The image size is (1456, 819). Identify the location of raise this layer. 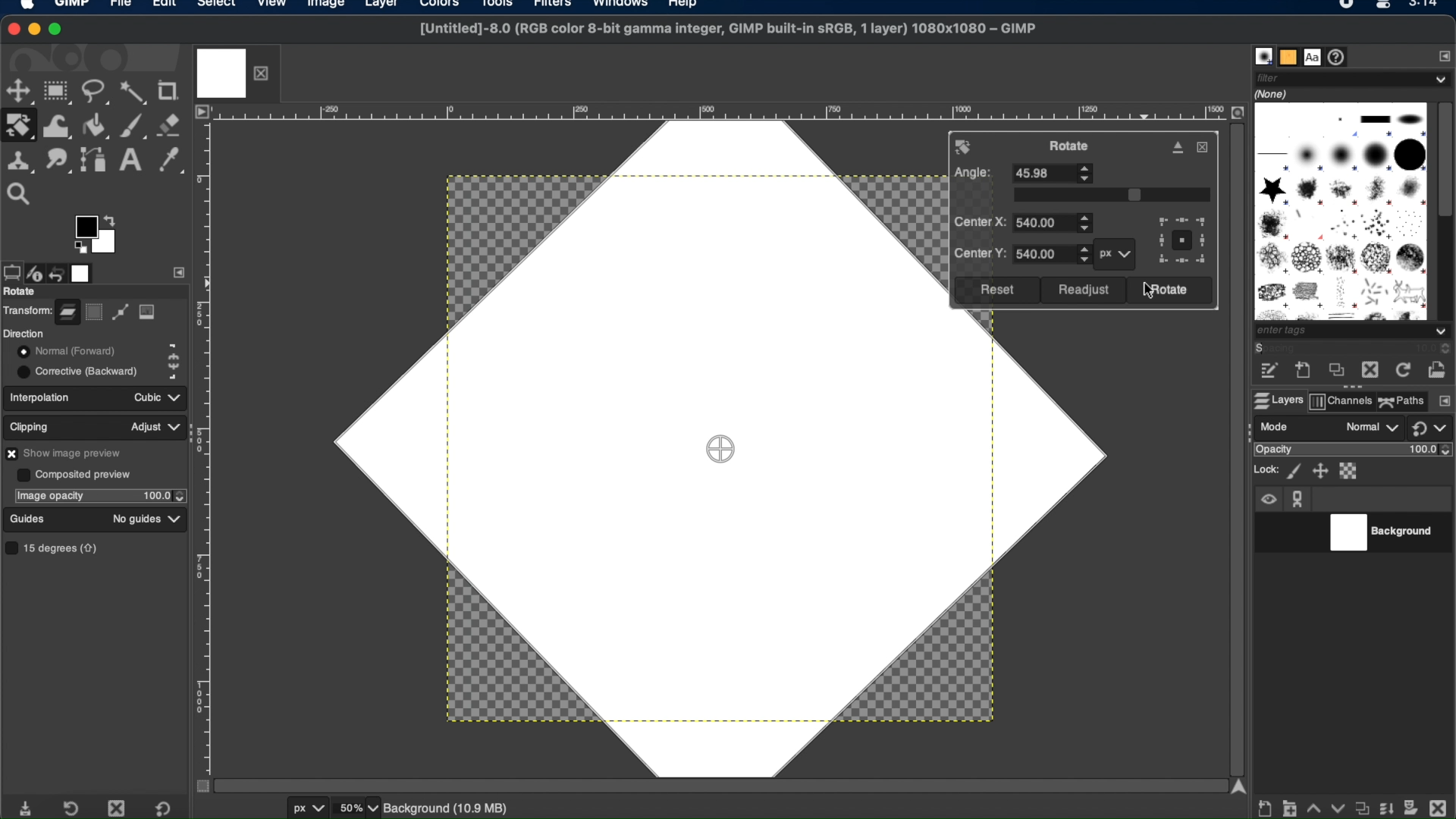
(1313, 805).